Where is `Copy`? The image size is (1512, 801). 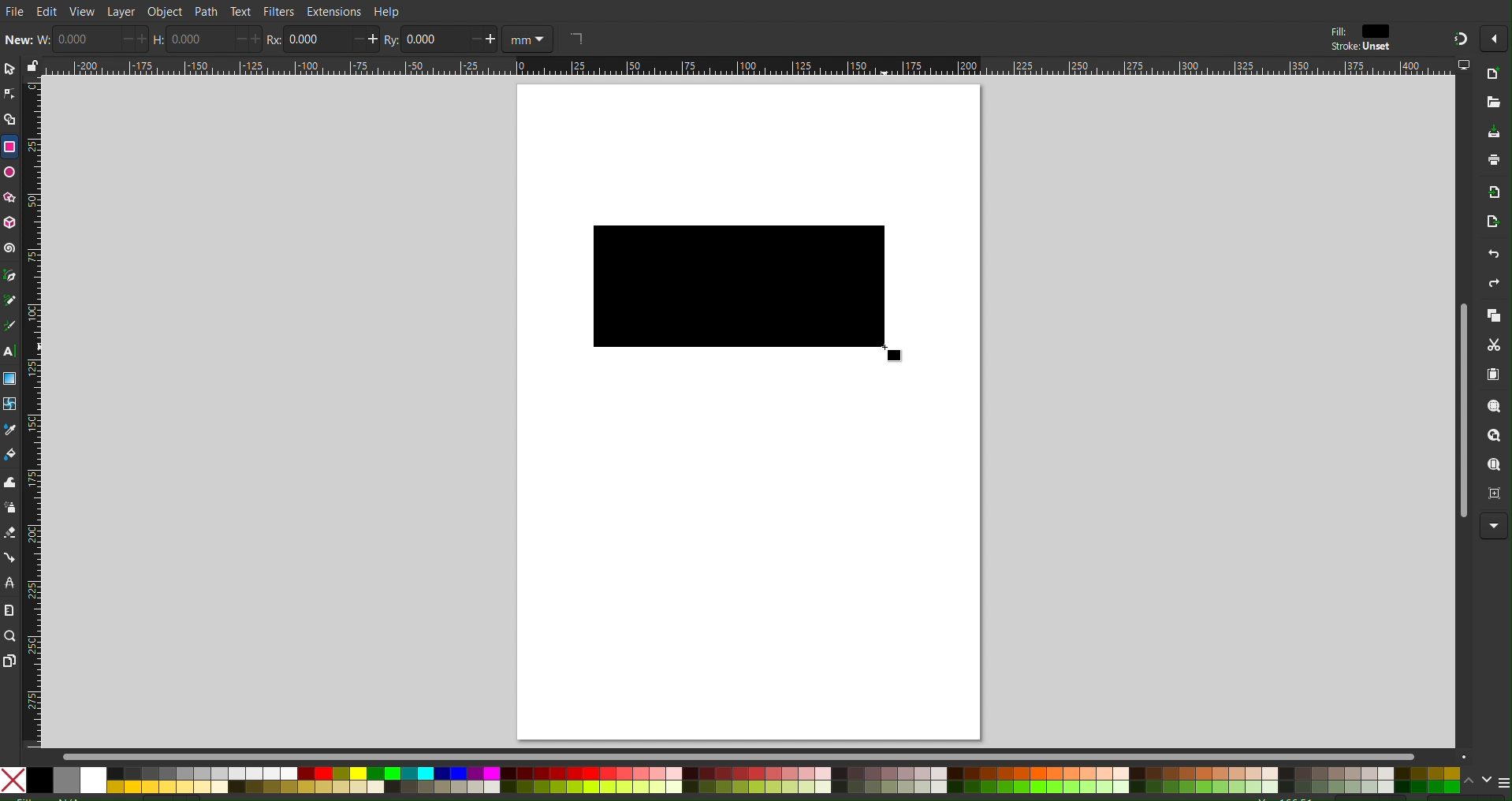
Copy is located at coordinates (1495, 317).